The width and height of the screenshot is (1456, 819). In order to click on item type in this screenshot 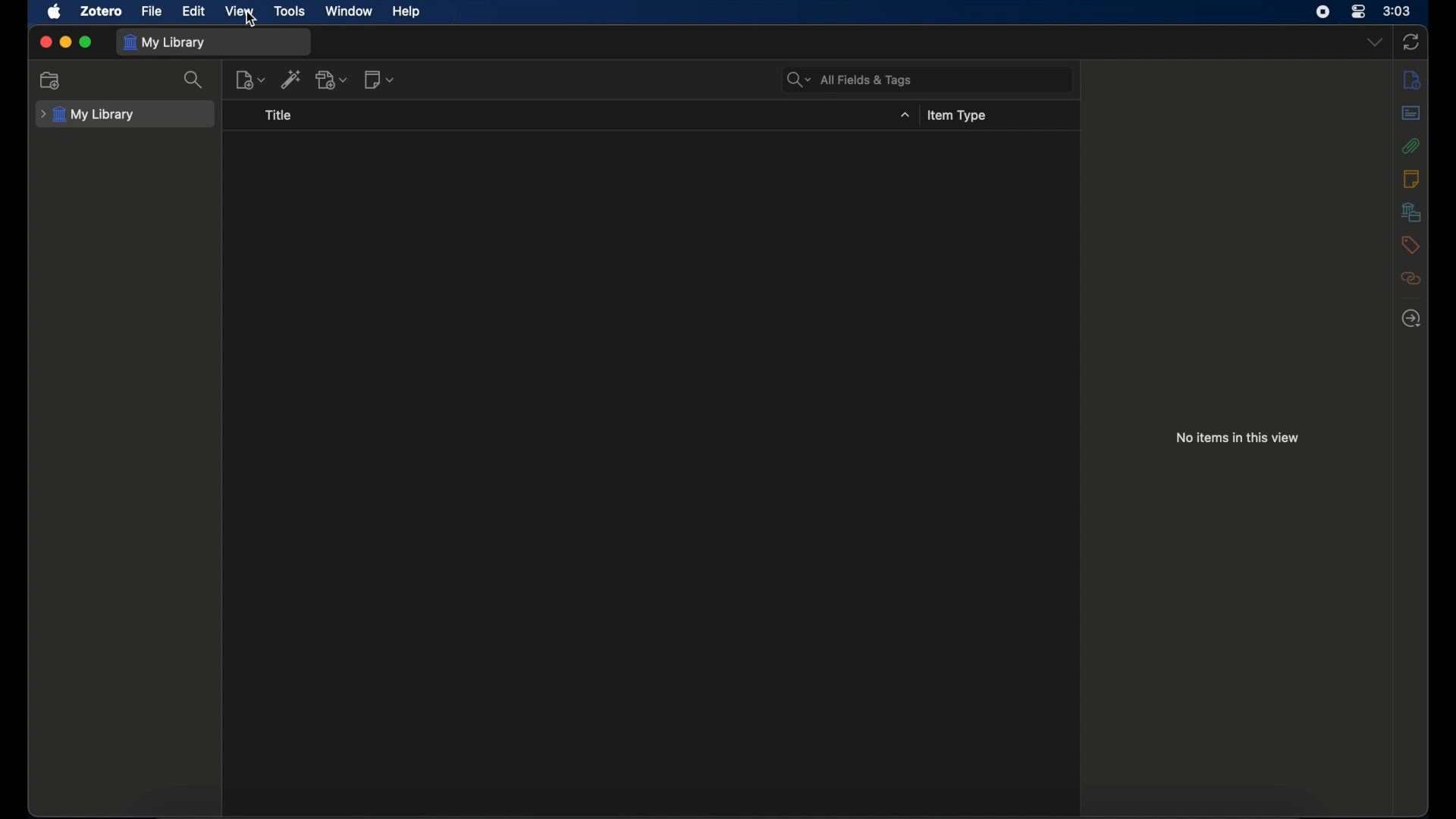, I will do `click(959, 117)`.